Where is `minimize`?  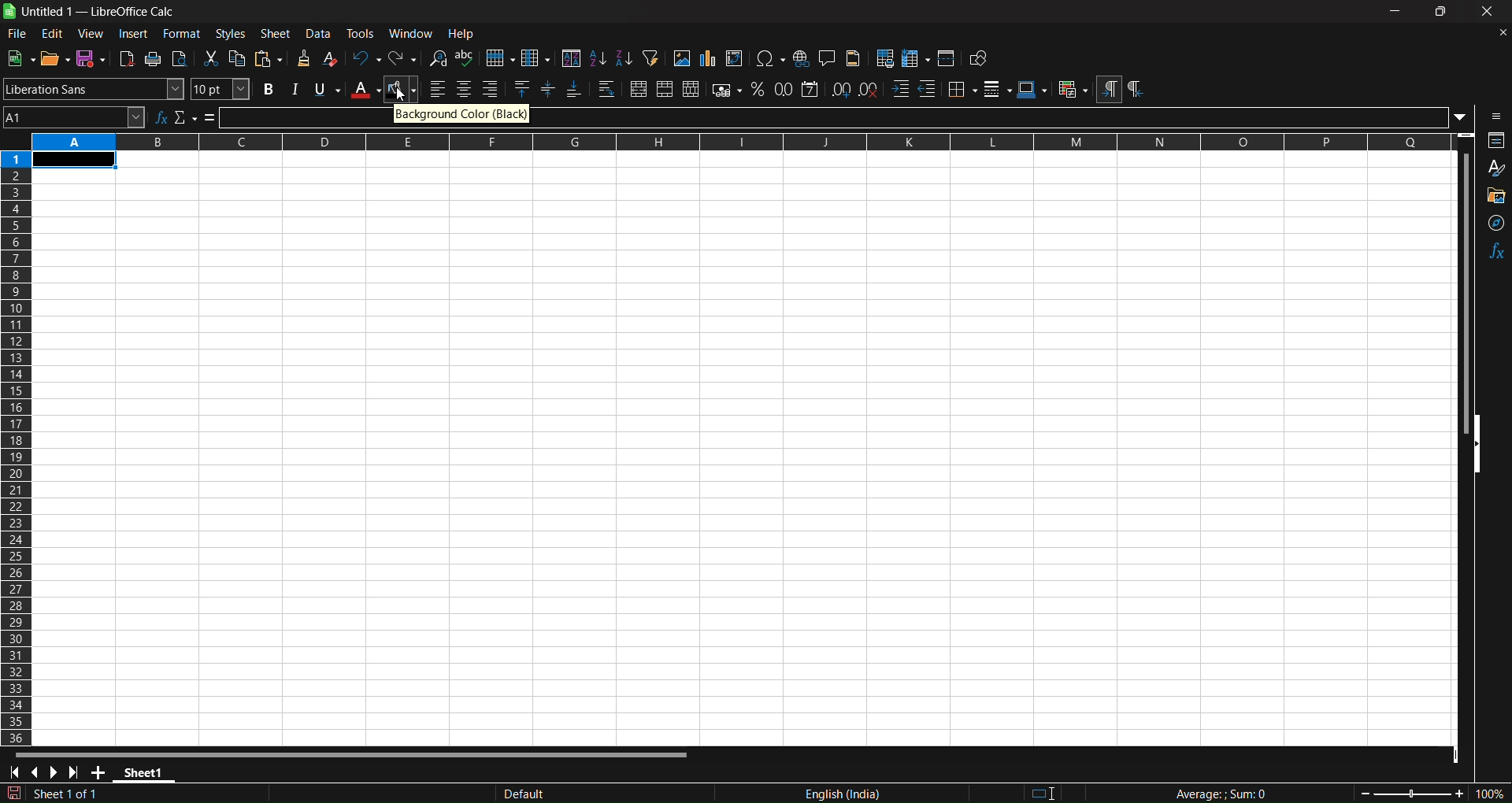
minimize is located at coordinates (1397, 11).